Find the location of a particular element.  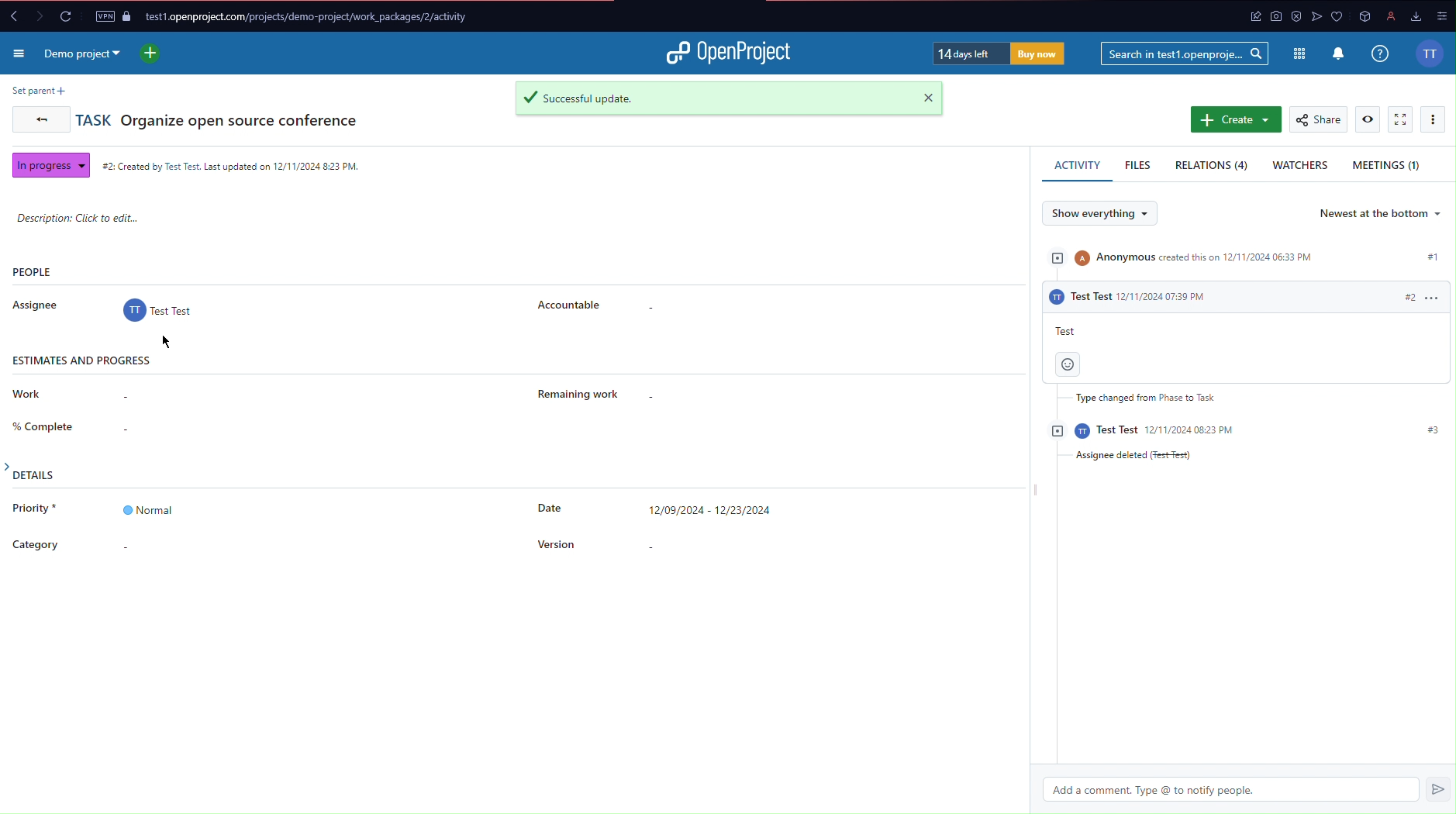

activity is located at coordinates (1145, 429).